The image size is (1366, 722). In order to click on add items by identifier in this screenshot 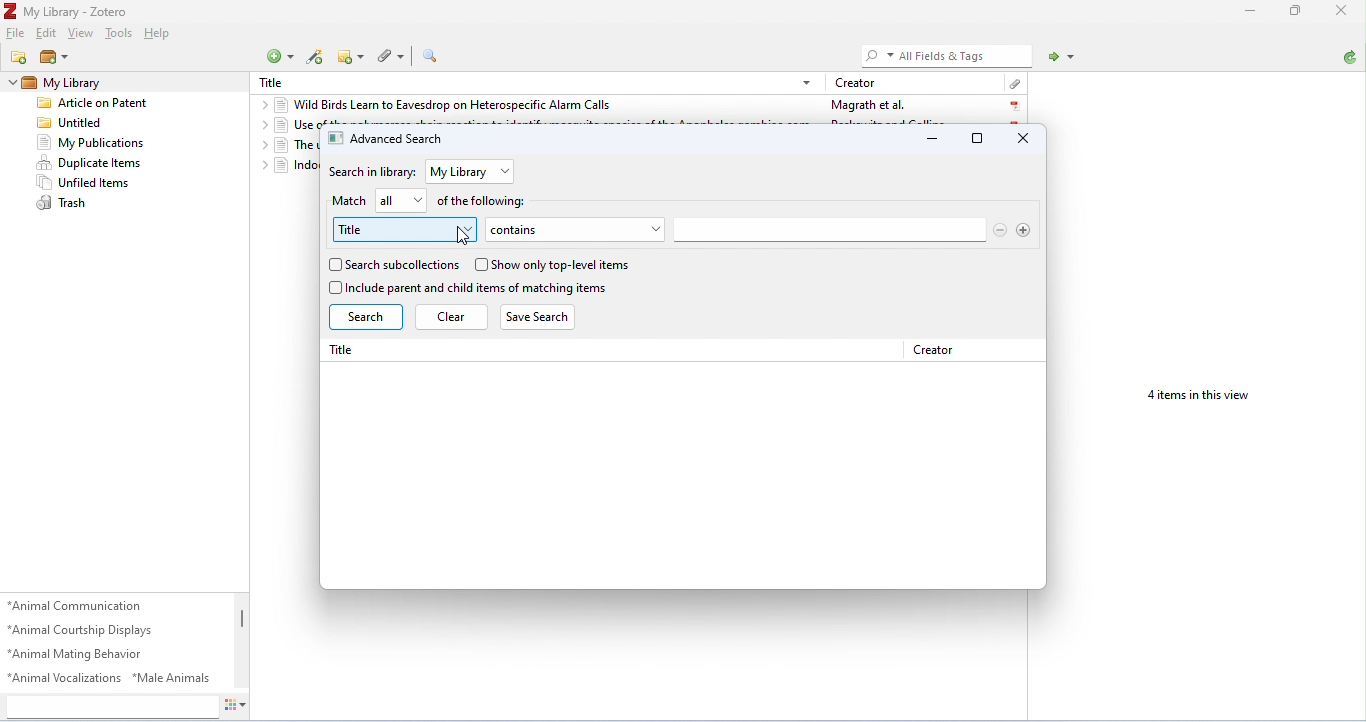, I will do `click(319, 59)`.